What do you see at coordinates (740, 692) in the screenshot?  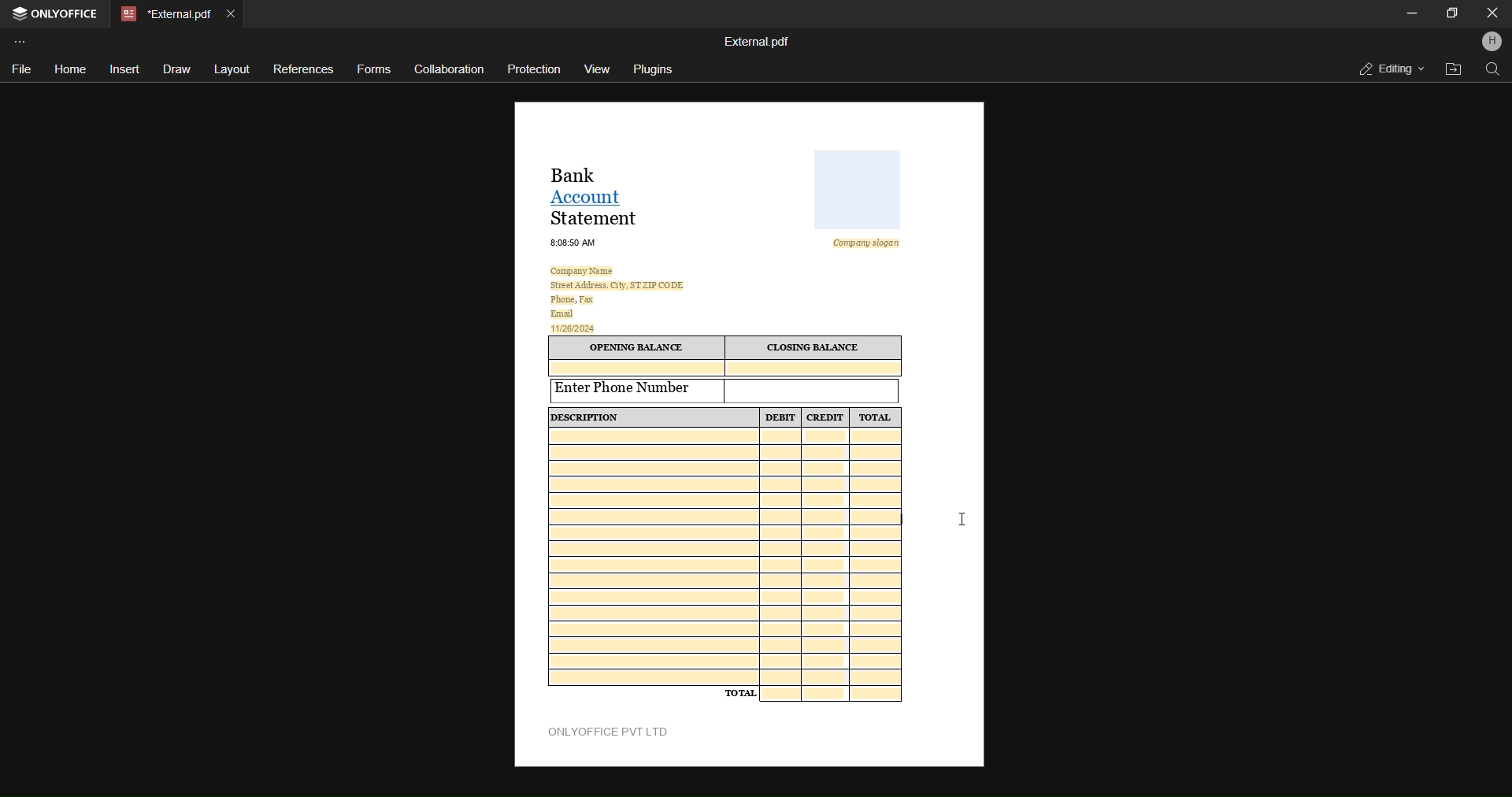 I see `TOTAL ` at bounding box center [740, 692].